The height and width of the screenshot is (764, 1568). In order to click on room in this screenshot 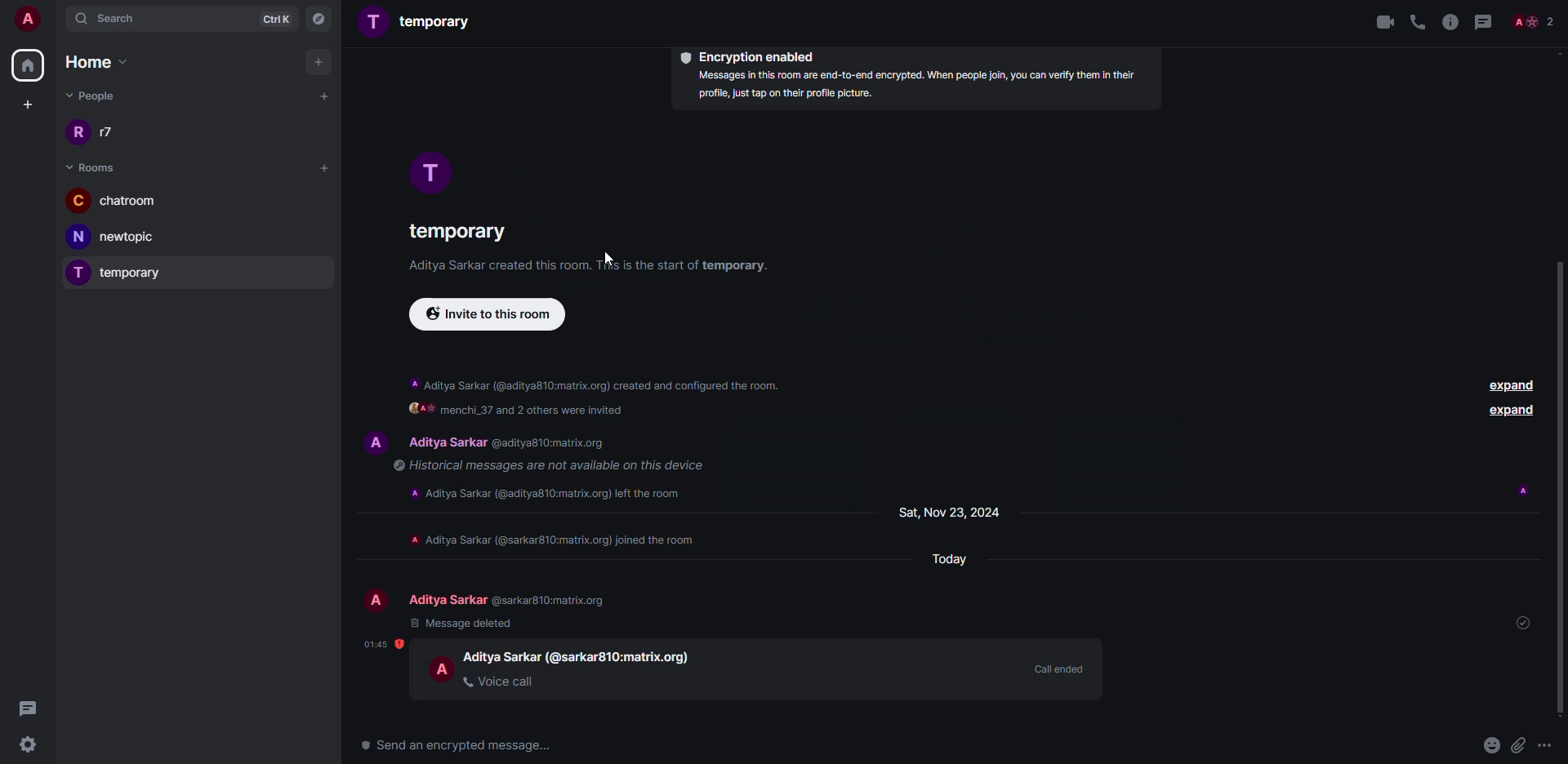, I will do `click(120, 273)`.